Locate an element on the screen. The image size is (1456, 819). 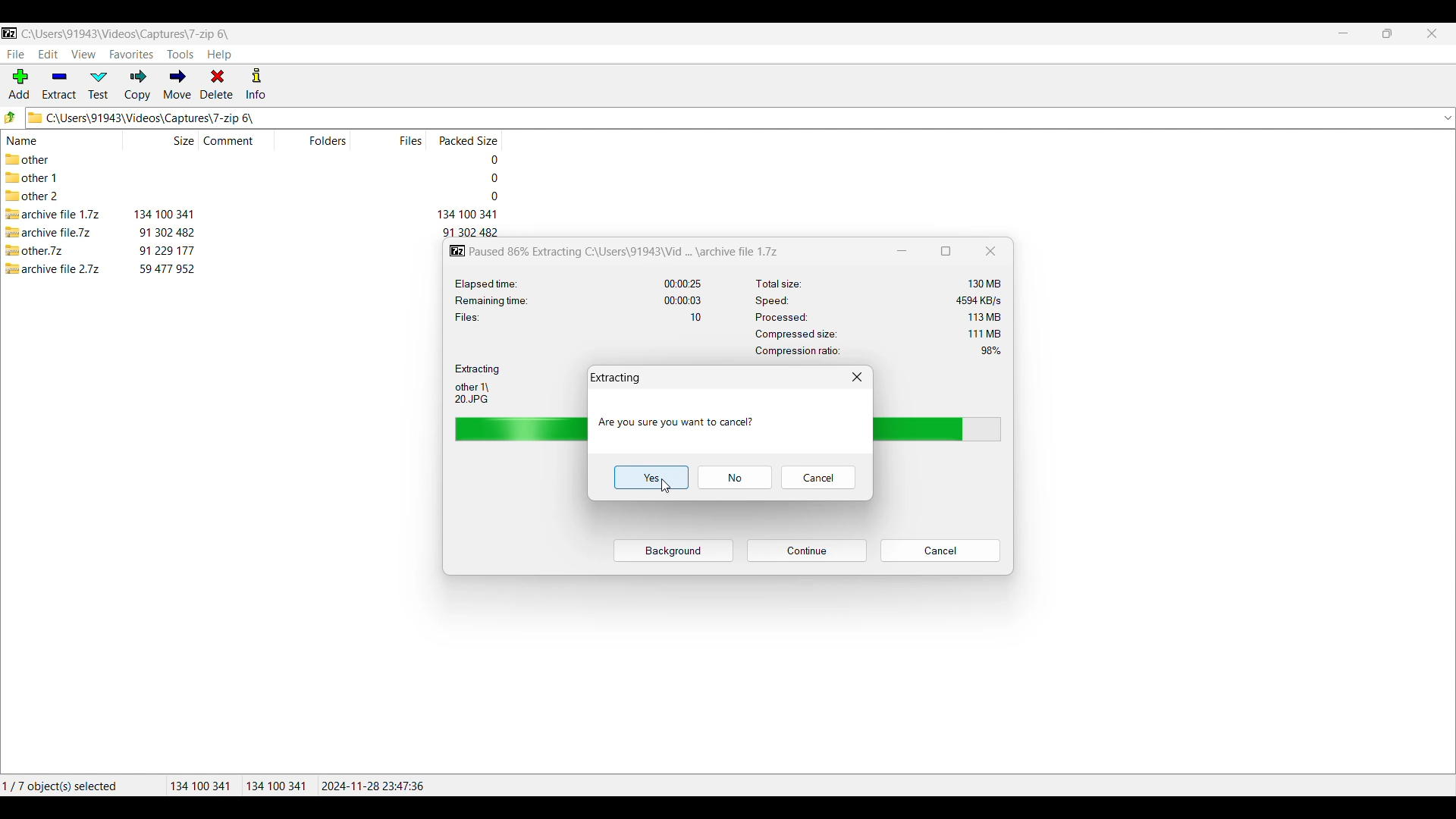
Background is located at coordinates (673, 551).